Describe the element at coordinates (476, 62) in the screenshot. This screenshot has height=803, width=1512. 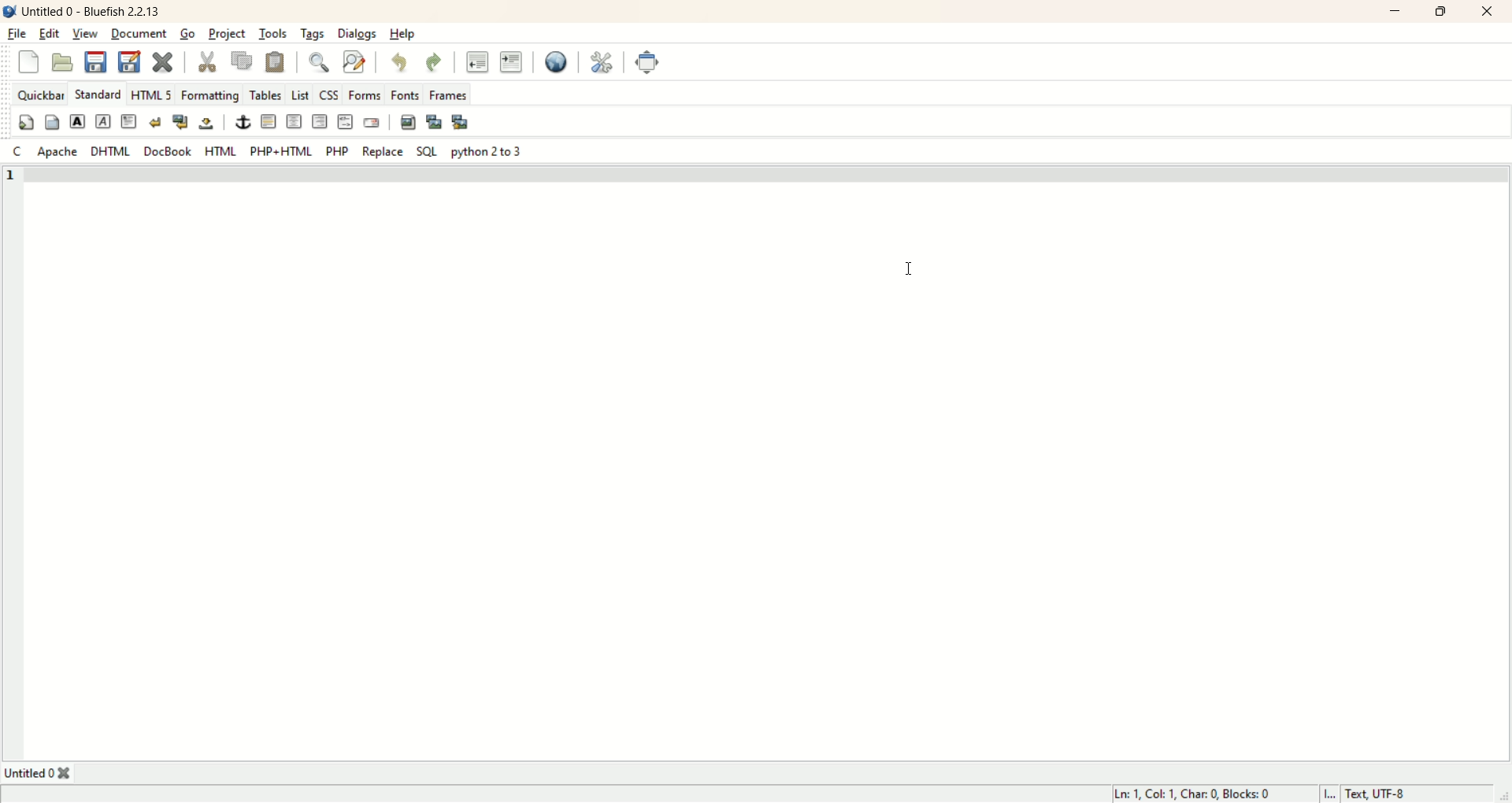
I see `unindent` at that location.